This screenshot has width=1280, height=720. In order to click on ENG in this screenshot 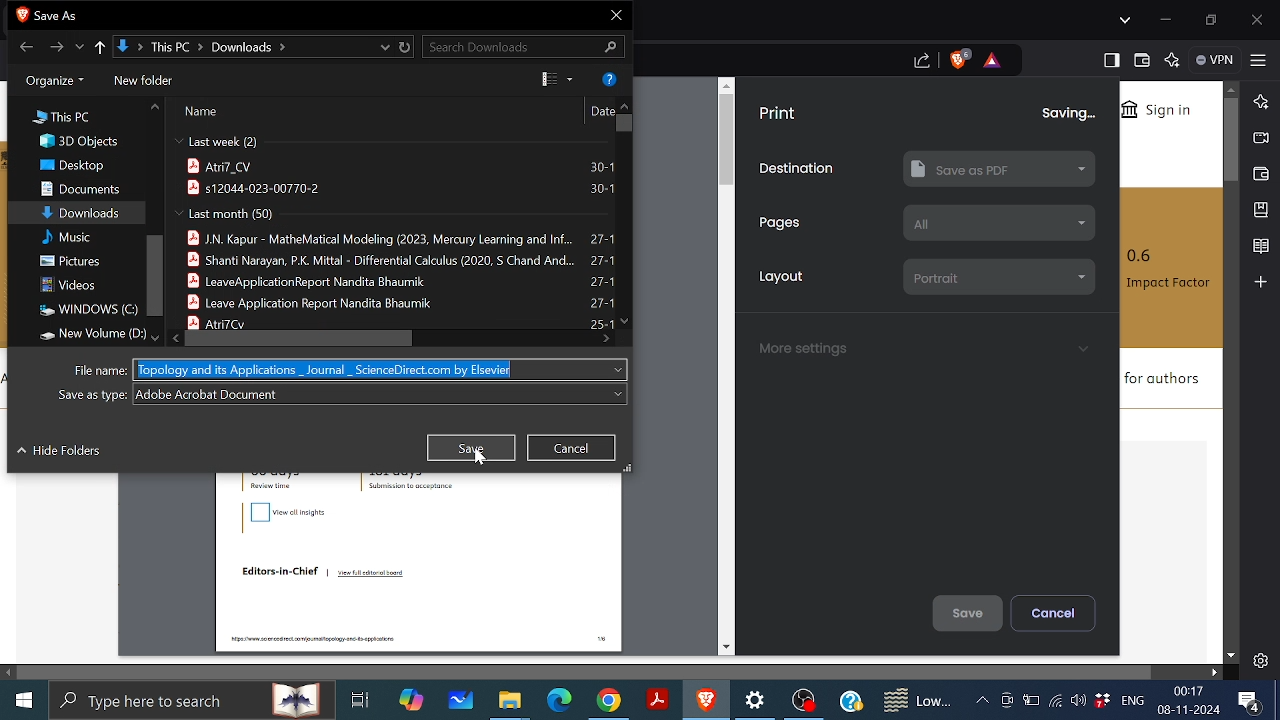, I will do `click(1134, 700)`.